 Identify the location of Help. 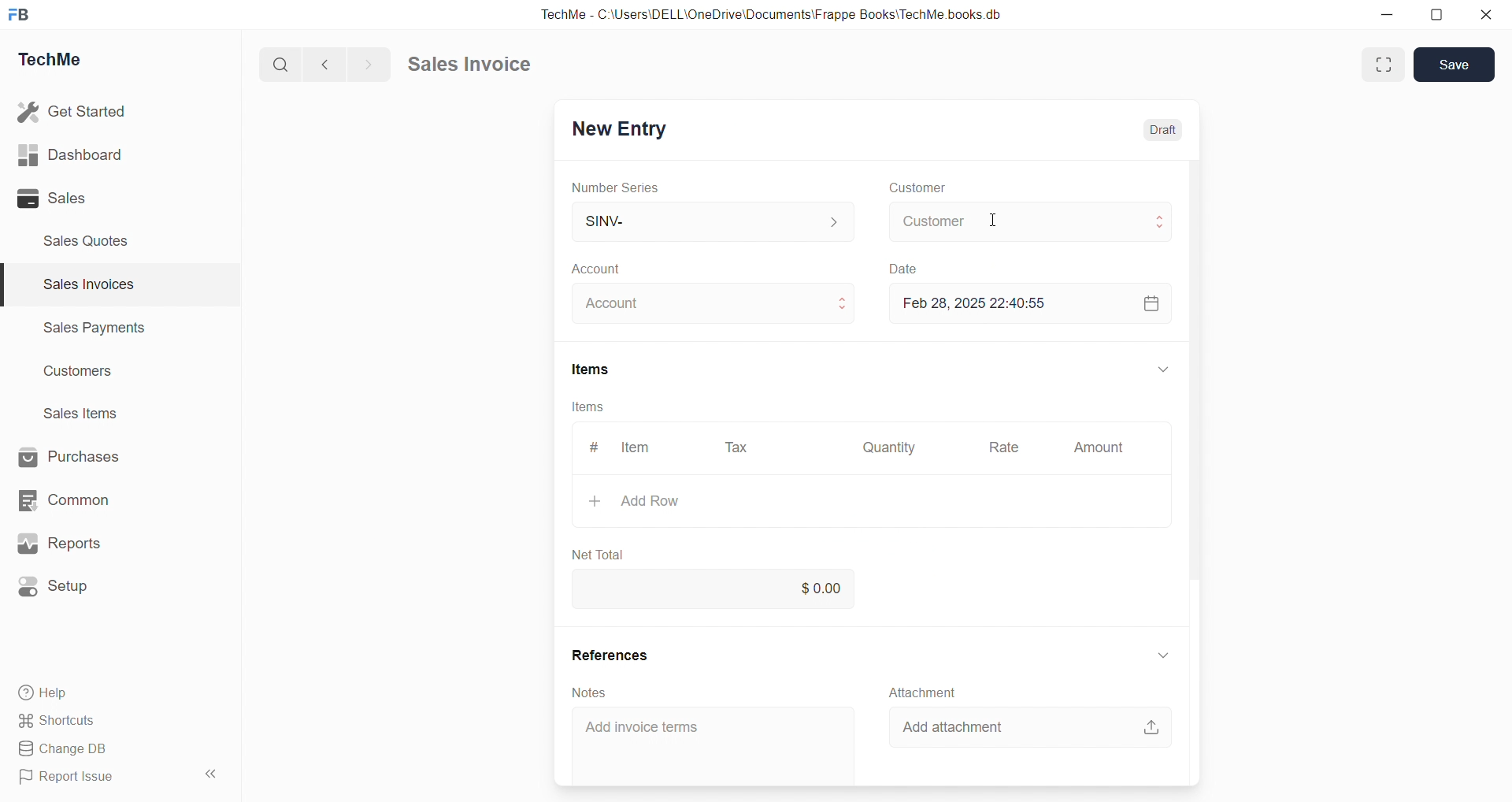
(46, 693).